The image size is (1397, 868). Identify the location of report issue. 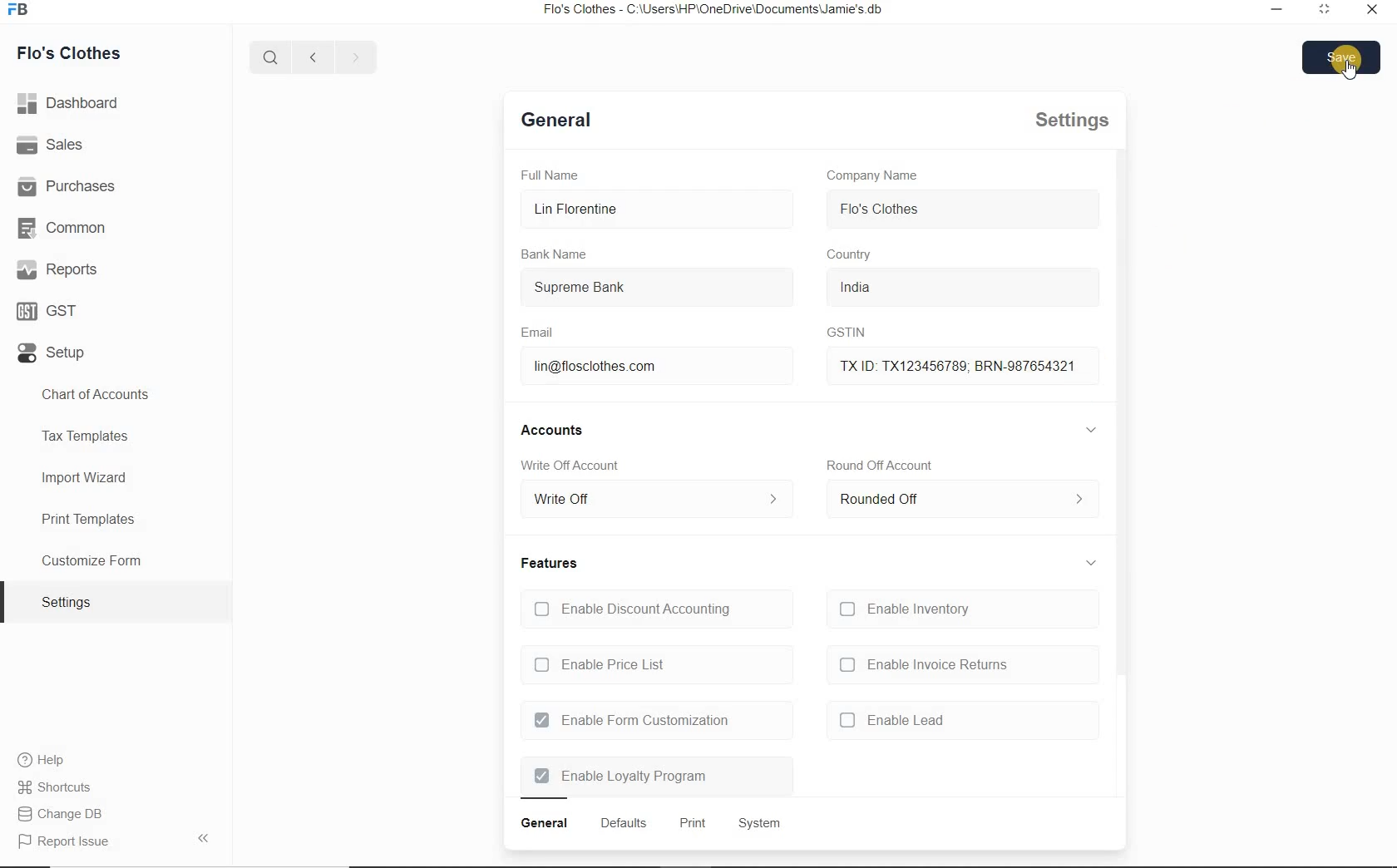
(72, 842).